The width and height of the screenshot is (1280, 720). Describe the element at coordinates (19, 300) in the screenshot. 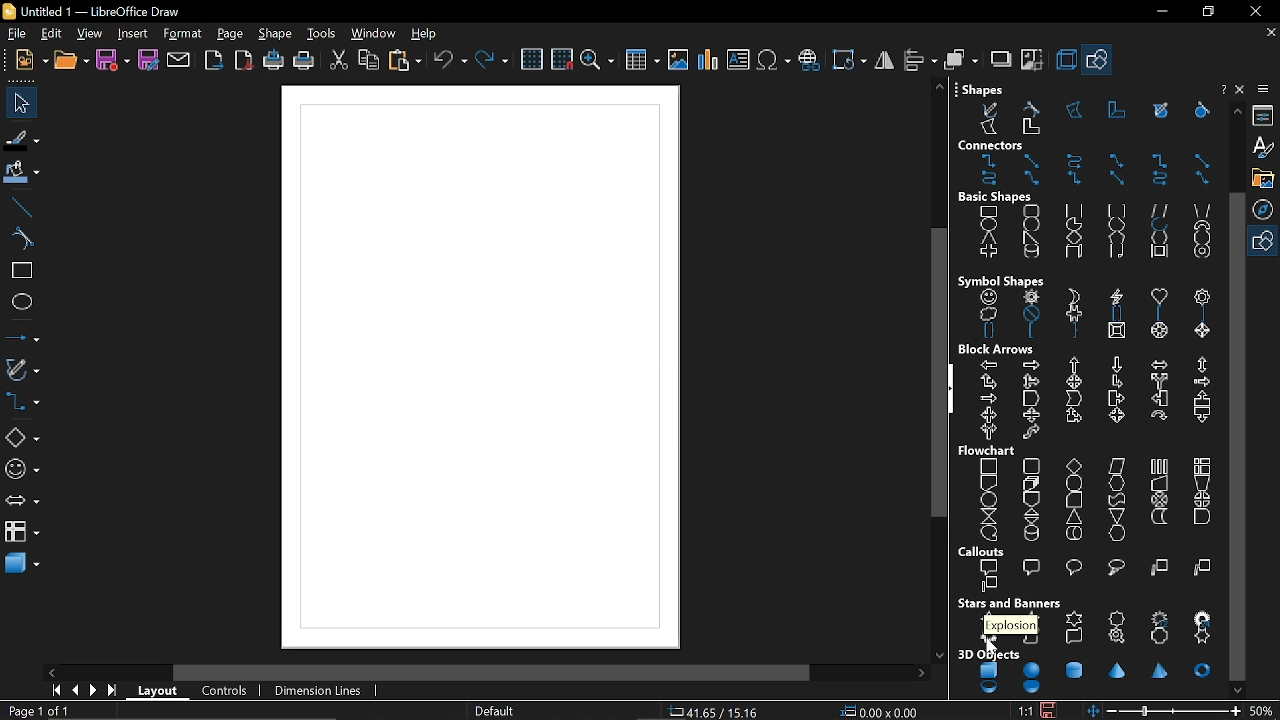

I see `ellipse` at that location.